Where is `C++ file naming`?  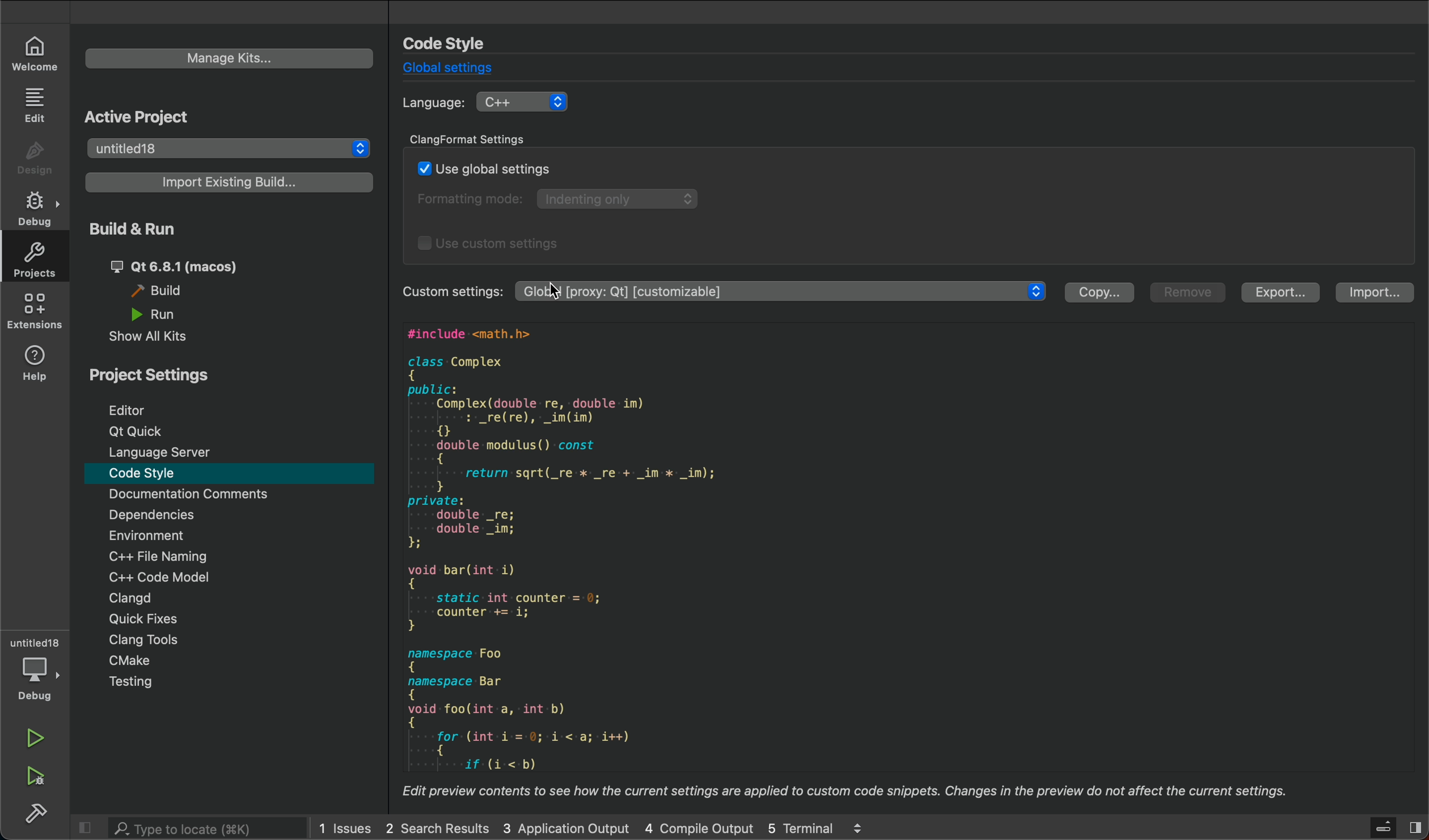
C++ file naming is located at coordinates (184, 556).